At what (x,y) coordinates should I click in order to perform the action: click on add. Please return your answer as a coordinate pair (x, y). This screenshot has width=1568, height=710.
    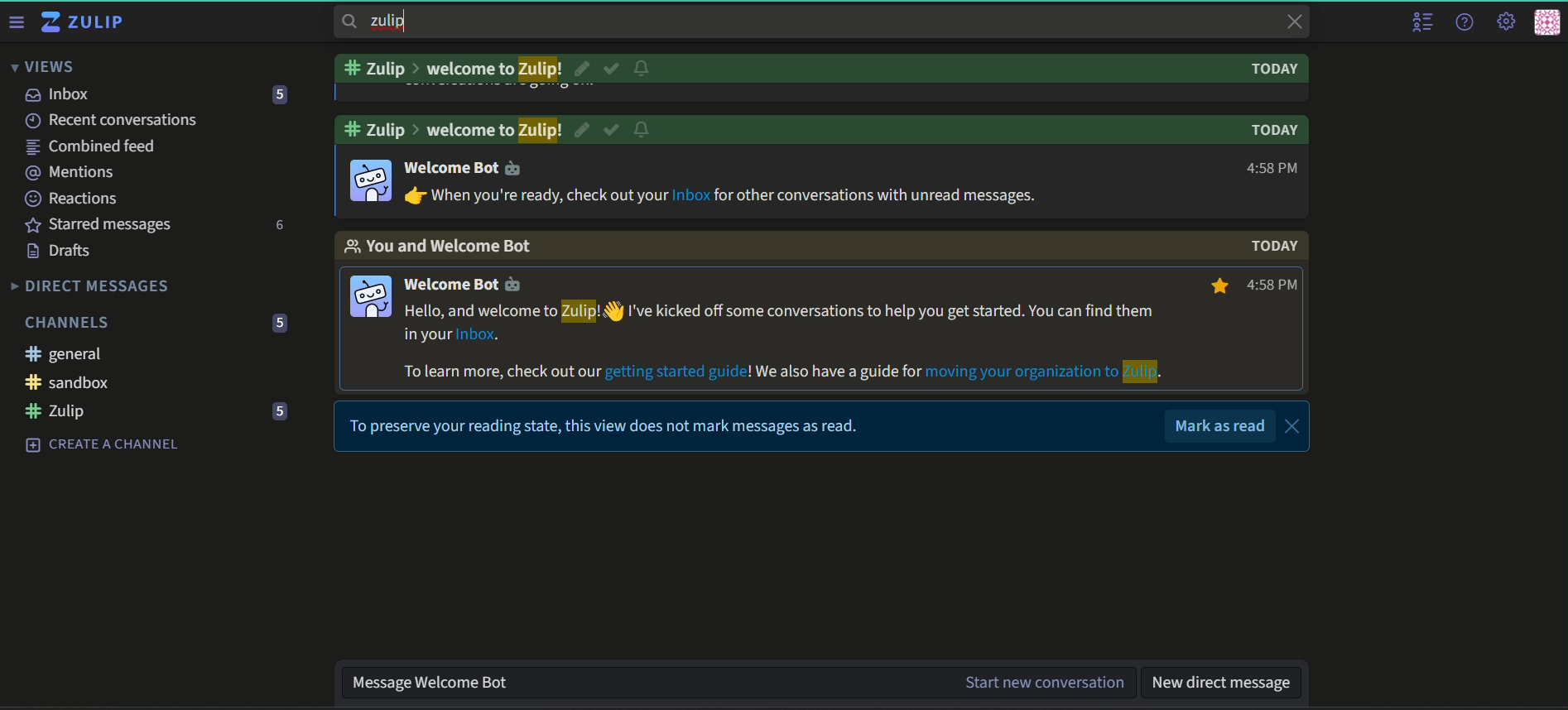
    Looking at the image, I should click on (281, 355).